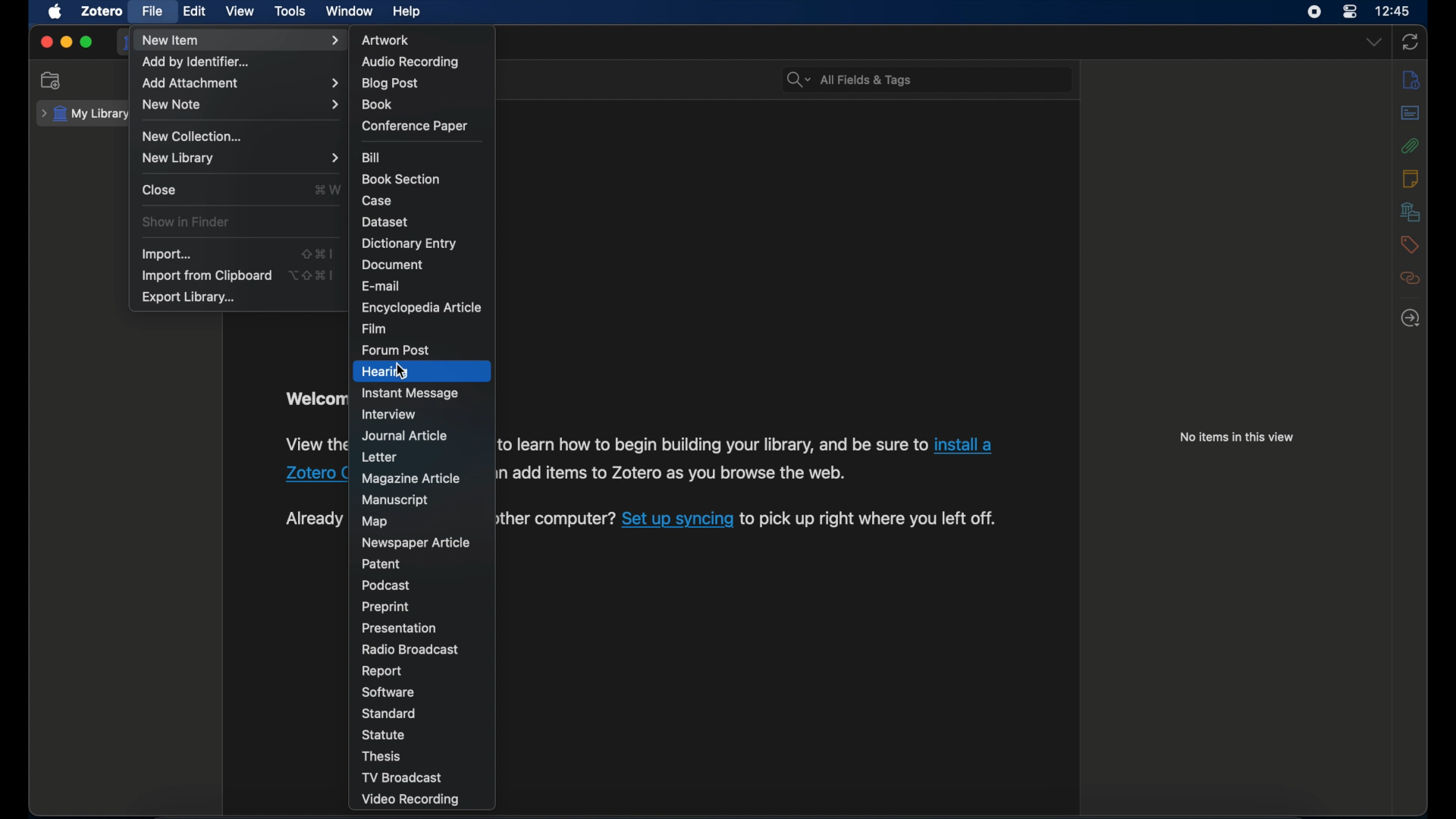 This screenshot has width=1456, height=819. Describe the element at coordinates (1410, 278) in the screenshot. I see `related` at that location.